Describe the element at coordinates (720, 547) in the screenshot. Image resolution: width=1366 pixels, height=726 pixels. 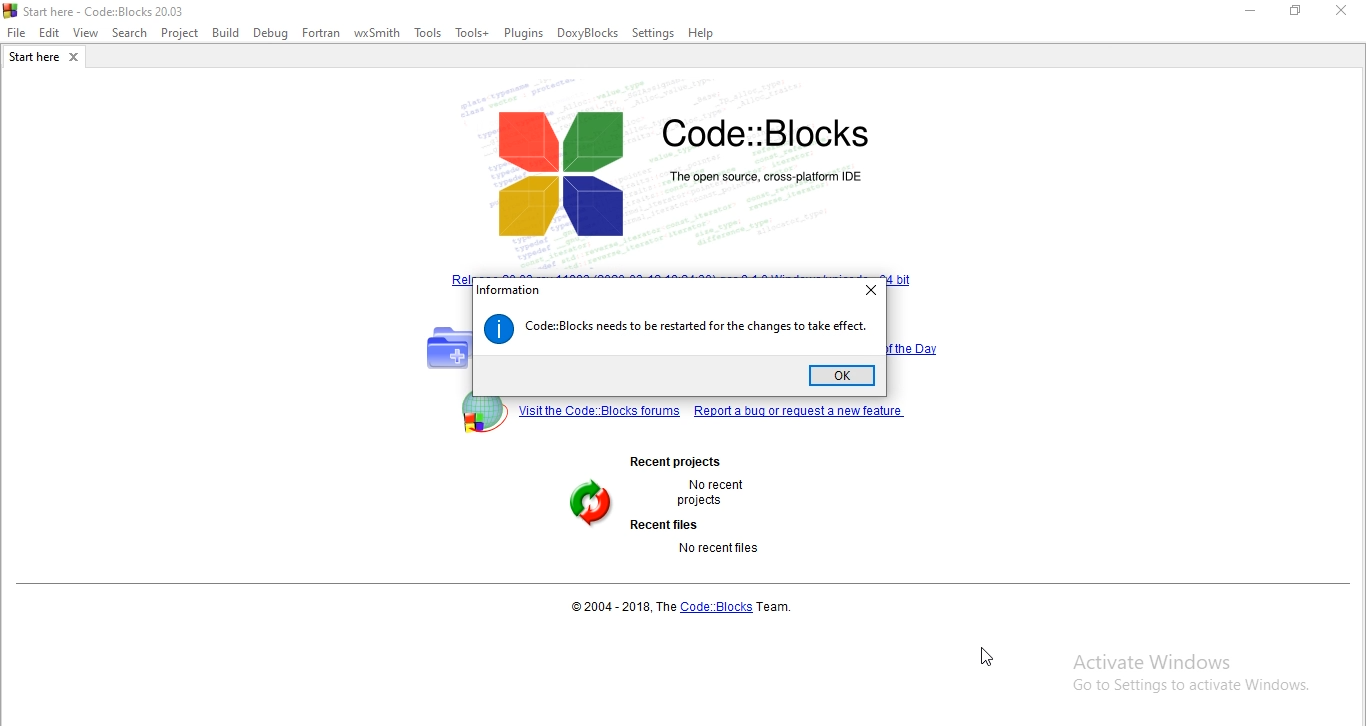
I see `no recent files` at that location.